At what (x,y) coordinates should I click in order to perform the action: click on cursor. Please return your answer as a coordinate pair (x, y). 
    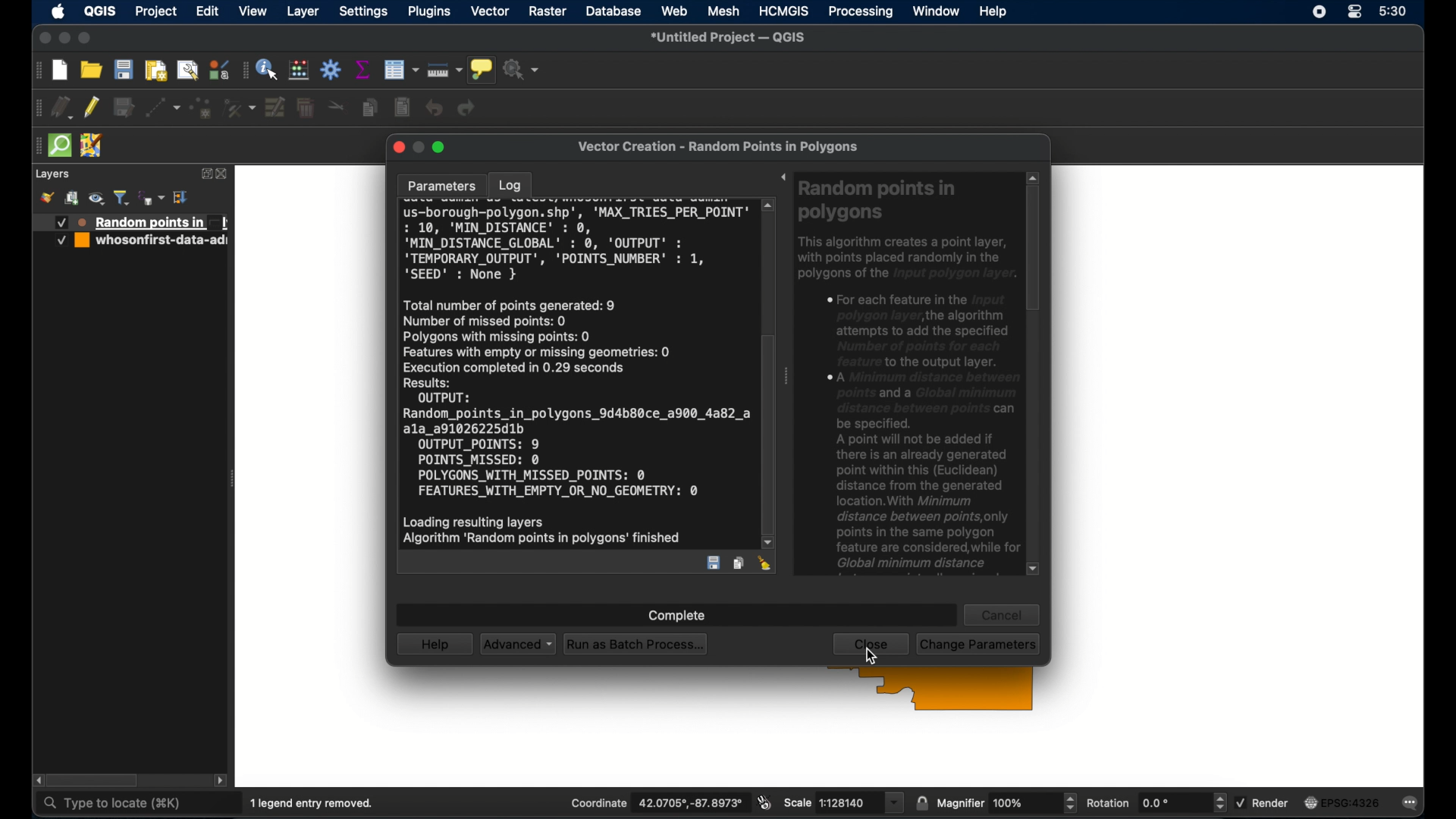
    Looking at the image, I should click on (871, 657).